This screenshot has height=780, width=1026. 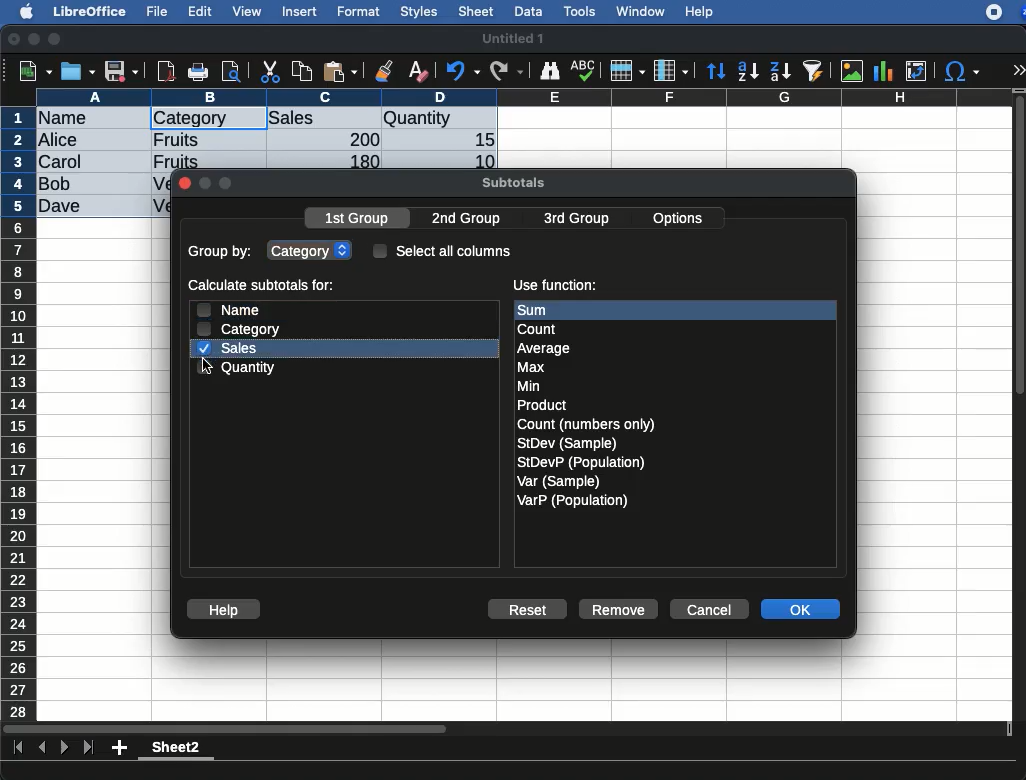 What do you see at coordinates (1018, 70) in the screenshot?
I see `expand` at bounding box center [1018, 70].